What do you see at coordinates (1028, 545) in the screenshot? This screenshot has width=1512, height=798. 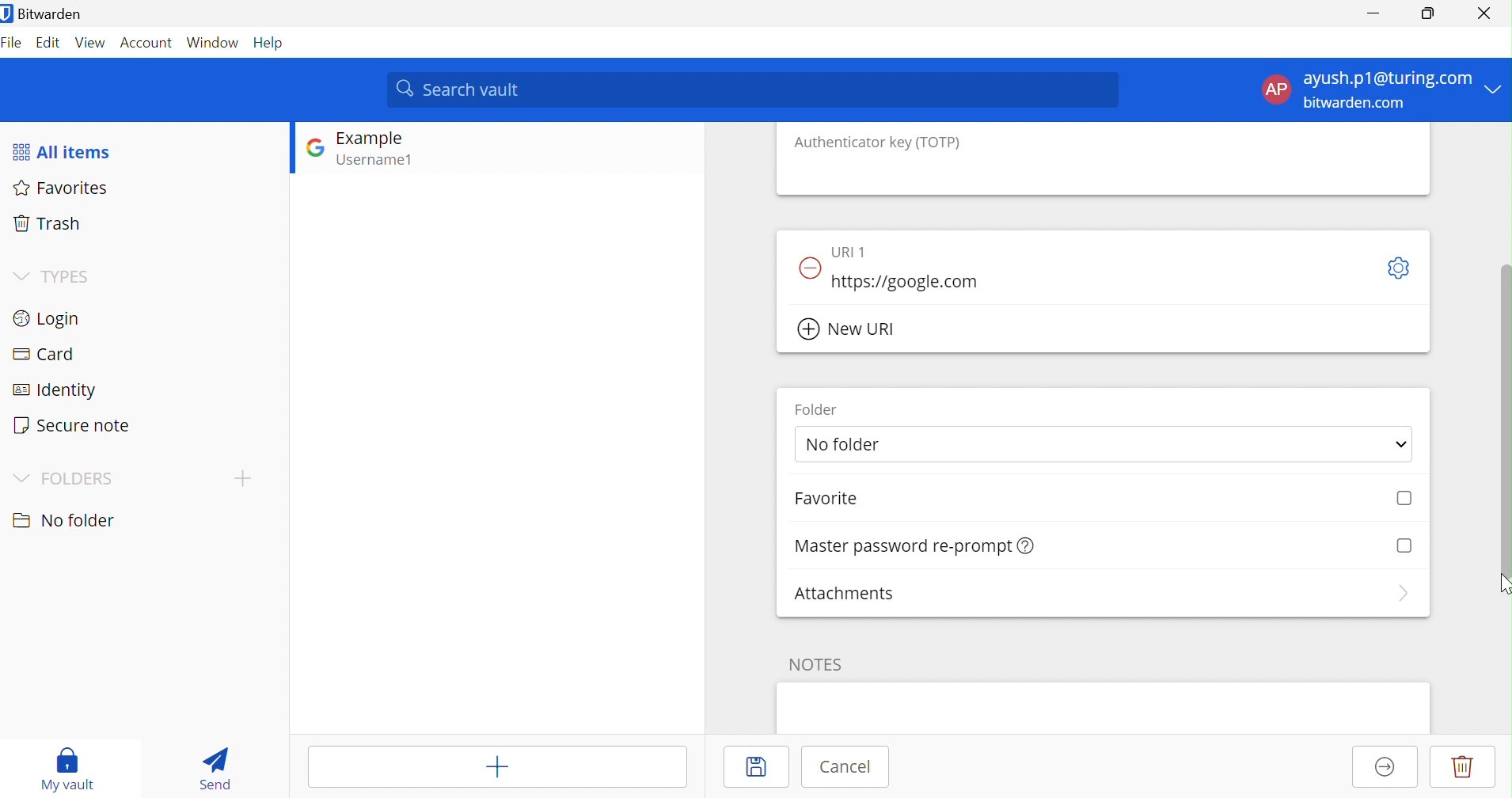 I see `Learn more` at bounding box center [1028, 545].